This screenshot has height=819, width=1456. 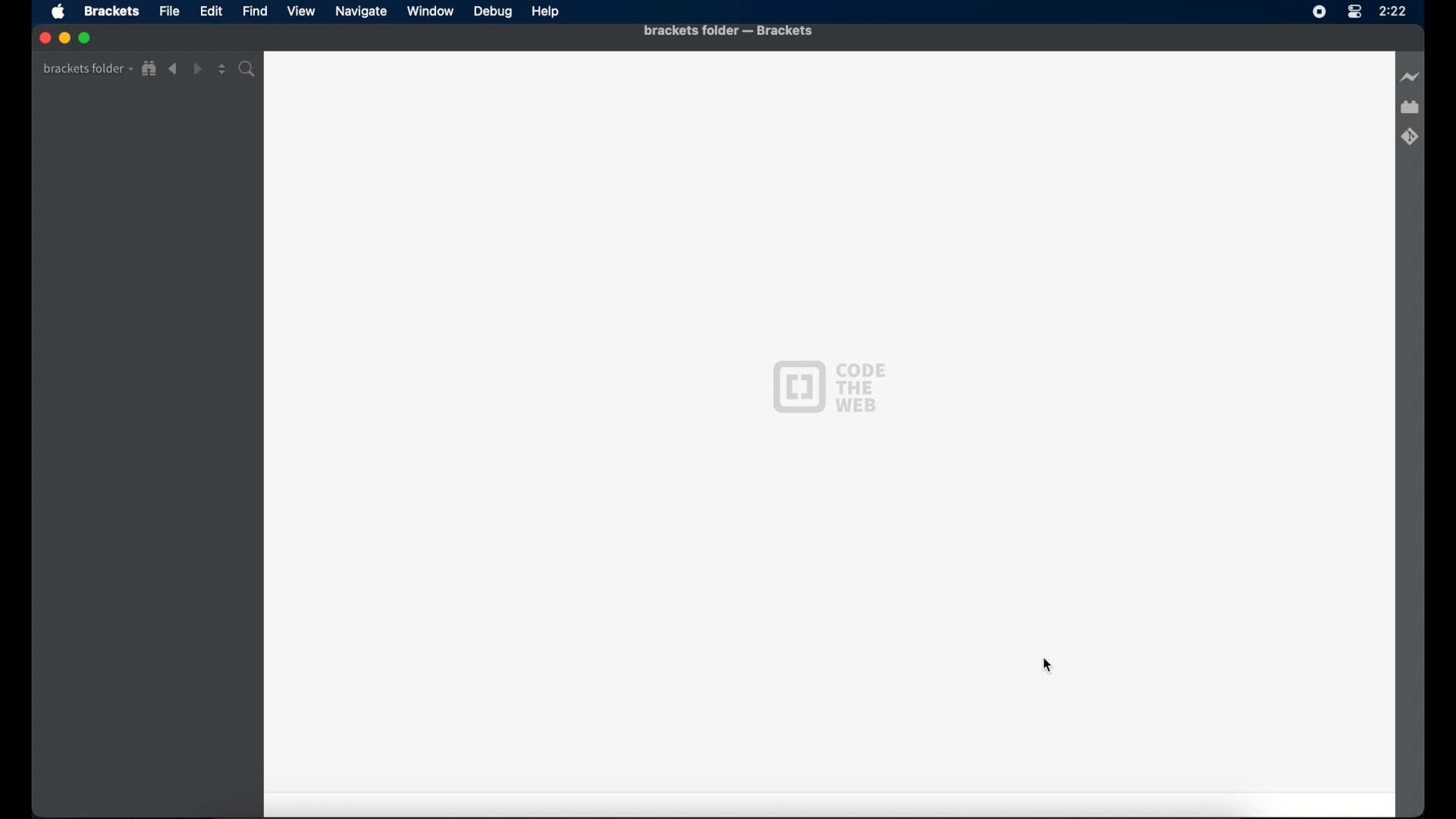 I want to click on show file in tree, so click(x=150, y=69).